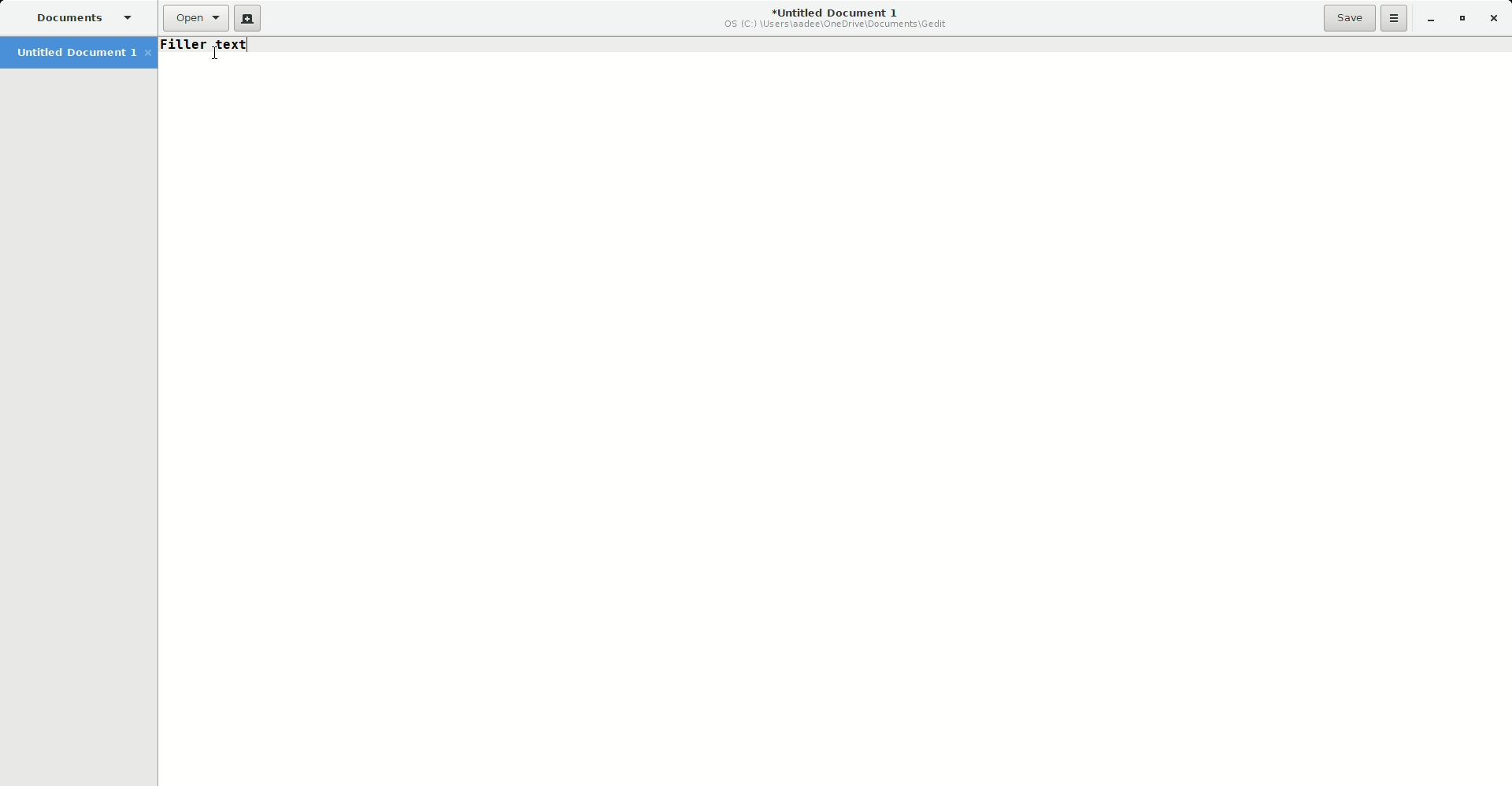 The height and width of the screenshot is (786, 1512). Describe the element at coordinates (216, 54) in the screenshot. I see `Cursor` at that location.